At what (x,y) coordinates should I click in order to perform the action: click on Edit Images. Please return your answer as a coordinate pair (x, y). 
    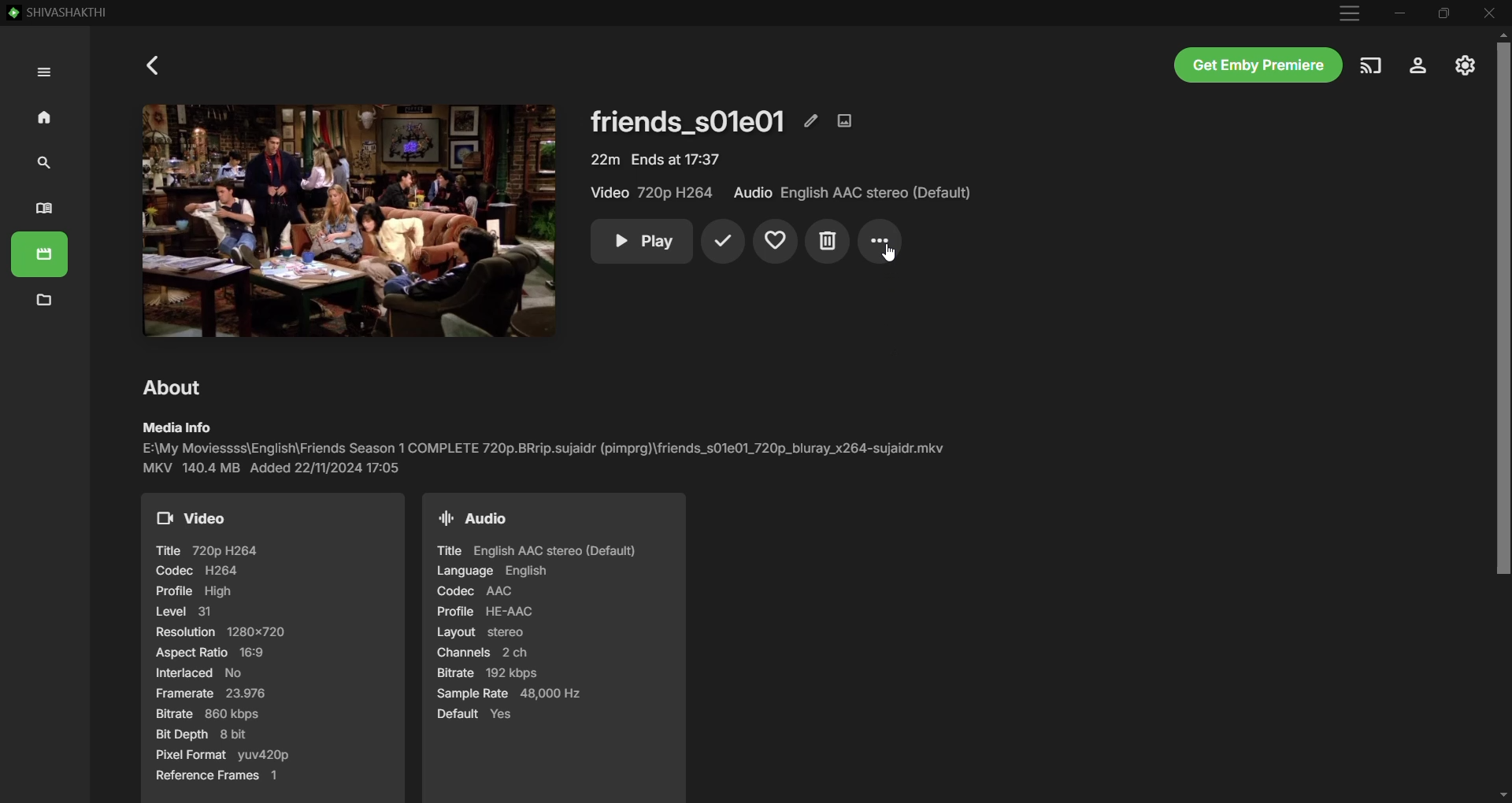
    Looking at the image, I should click on (847, 120).